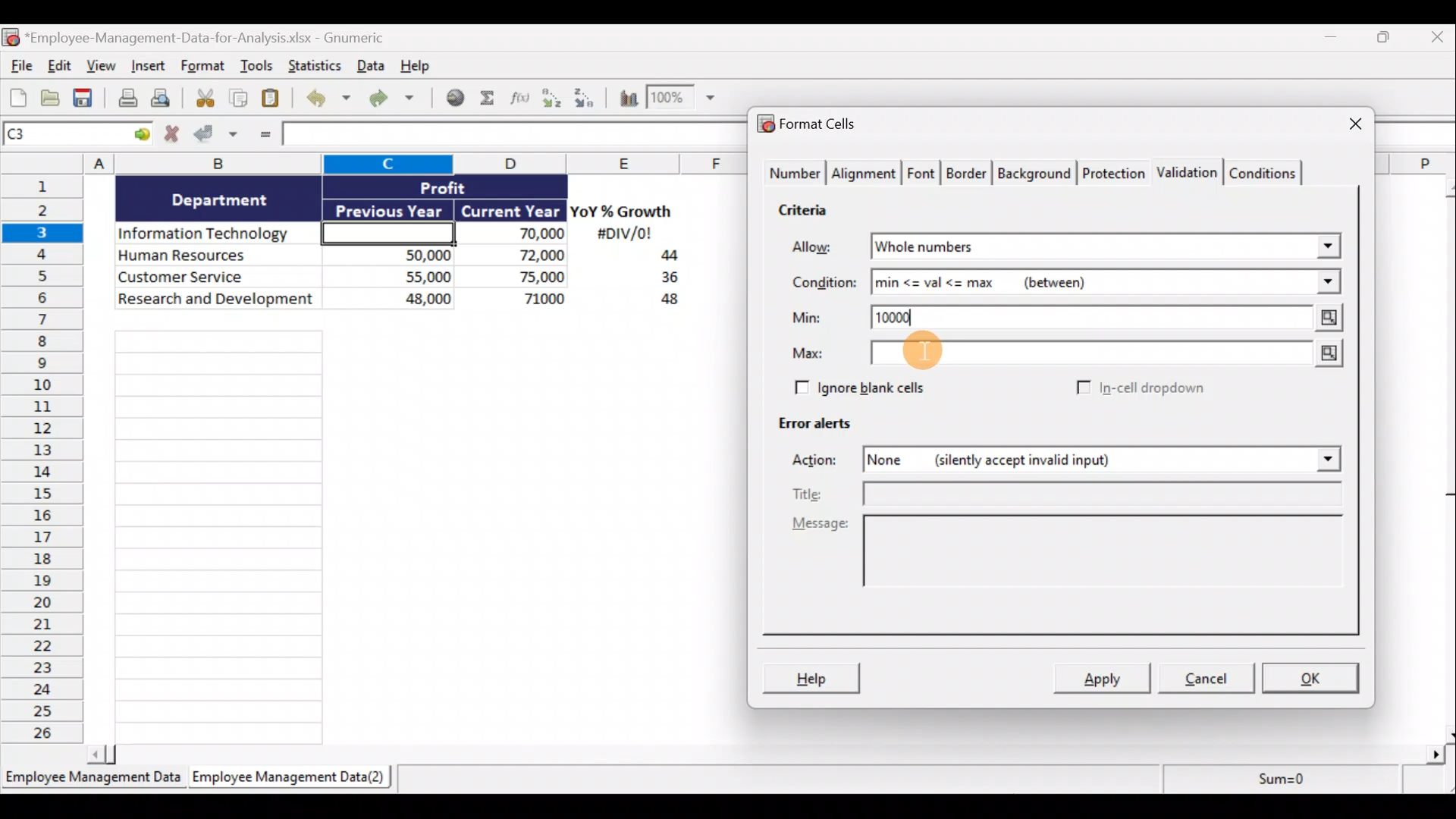 The image size is (1456, 819). What do you see at coordinates (1268, 172) in the screenshot?
I see `Conditions` at bounding box center [1268, 172].